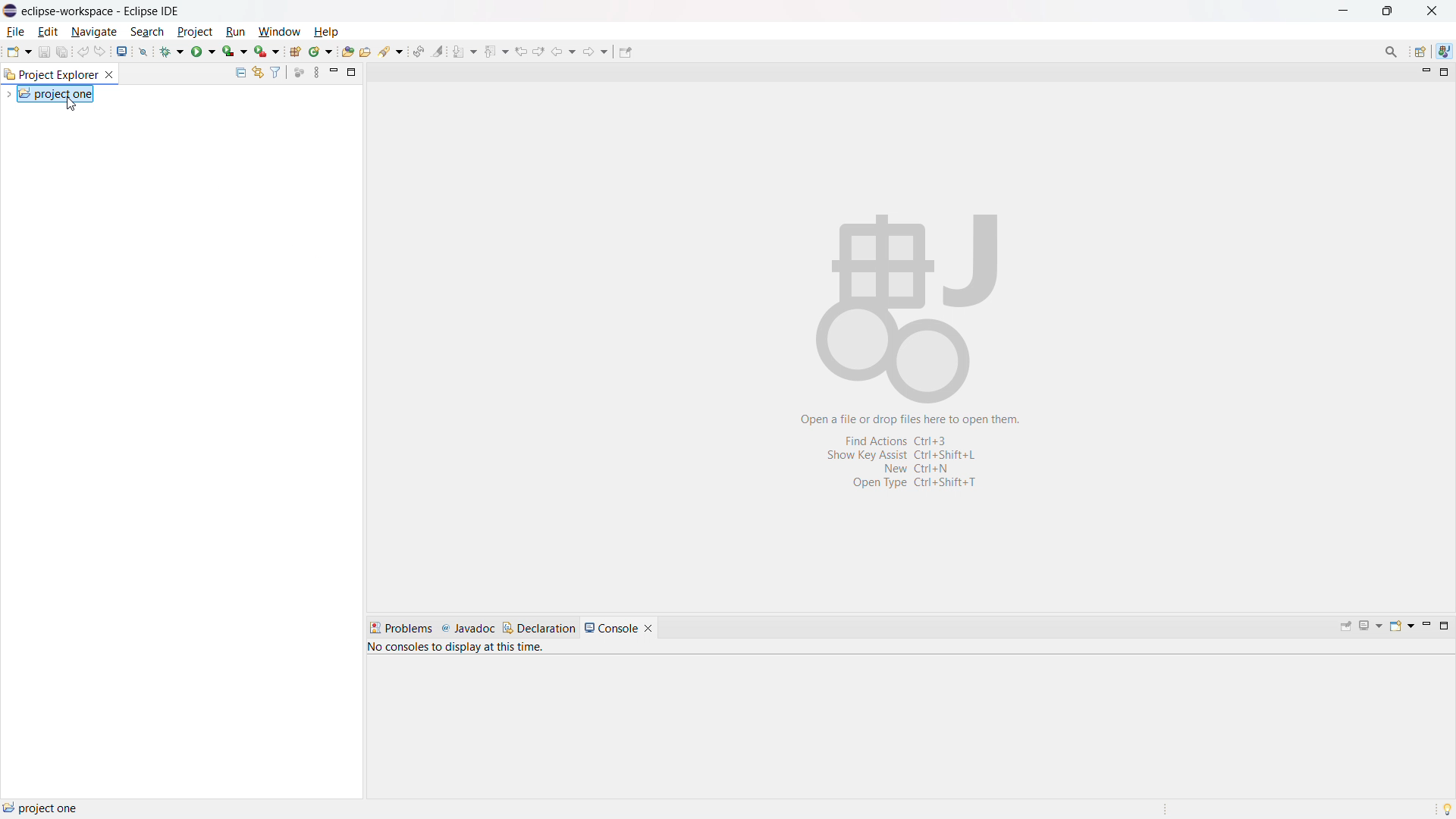 The width and height of the screenshot is (1456, 819). I want to click on open a file or drop files here to open them. , so click(915, 419).